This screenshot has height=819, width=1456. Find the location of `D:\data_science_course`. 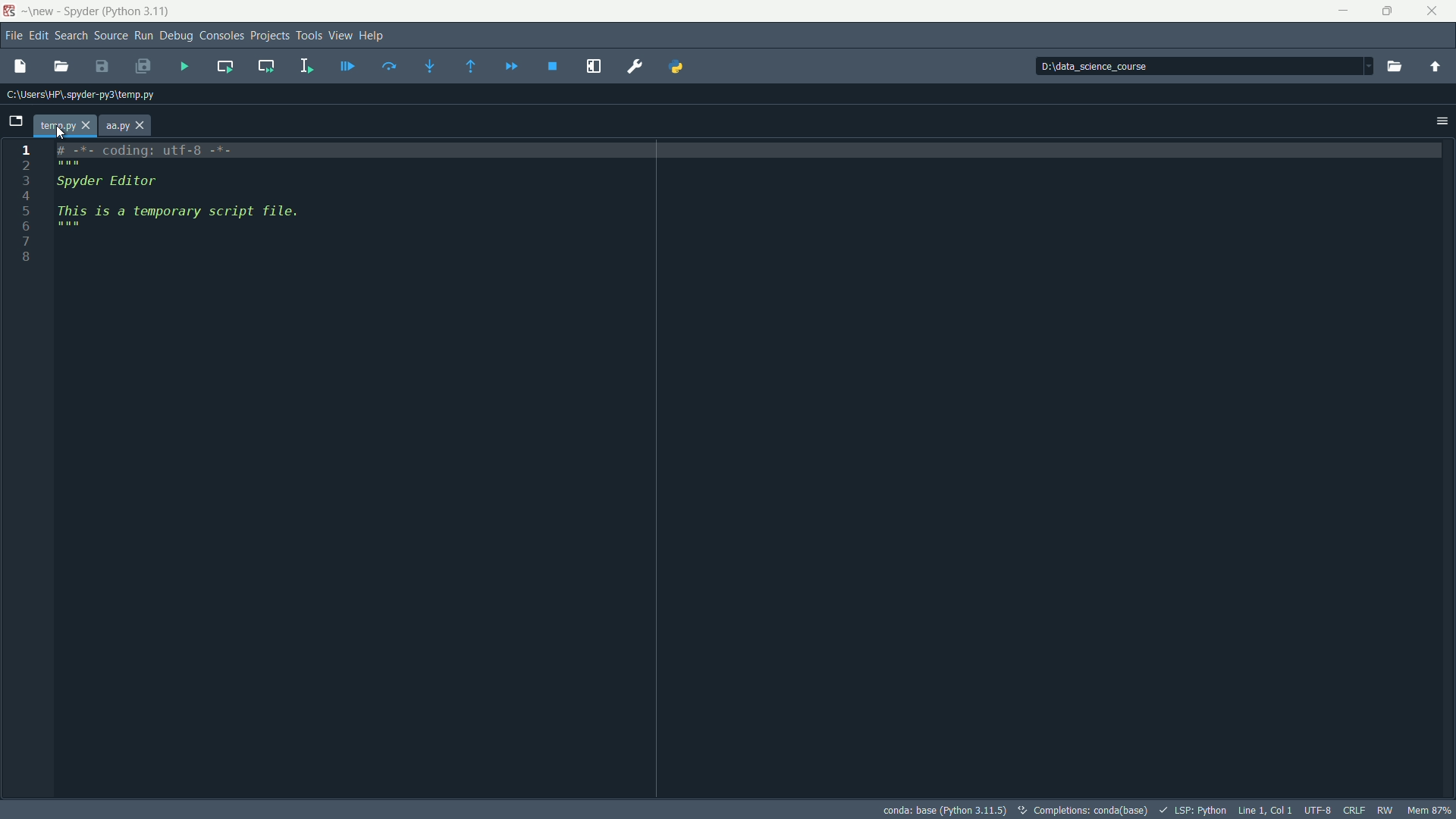

D:\data_science_course is located at coordinates (1128, 67).